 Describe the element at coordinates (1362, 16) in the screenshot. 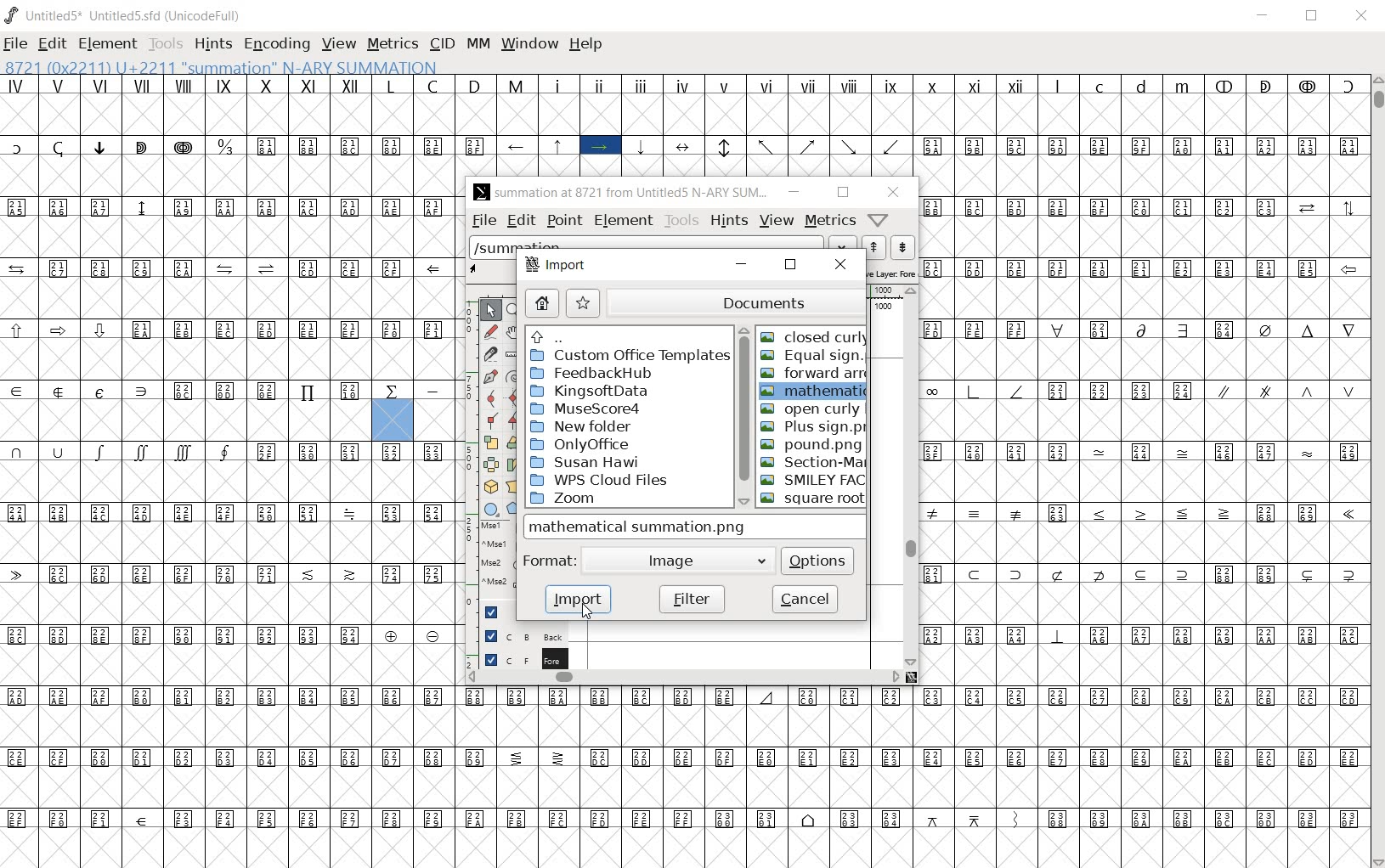

I see `CLOSE` at that location.